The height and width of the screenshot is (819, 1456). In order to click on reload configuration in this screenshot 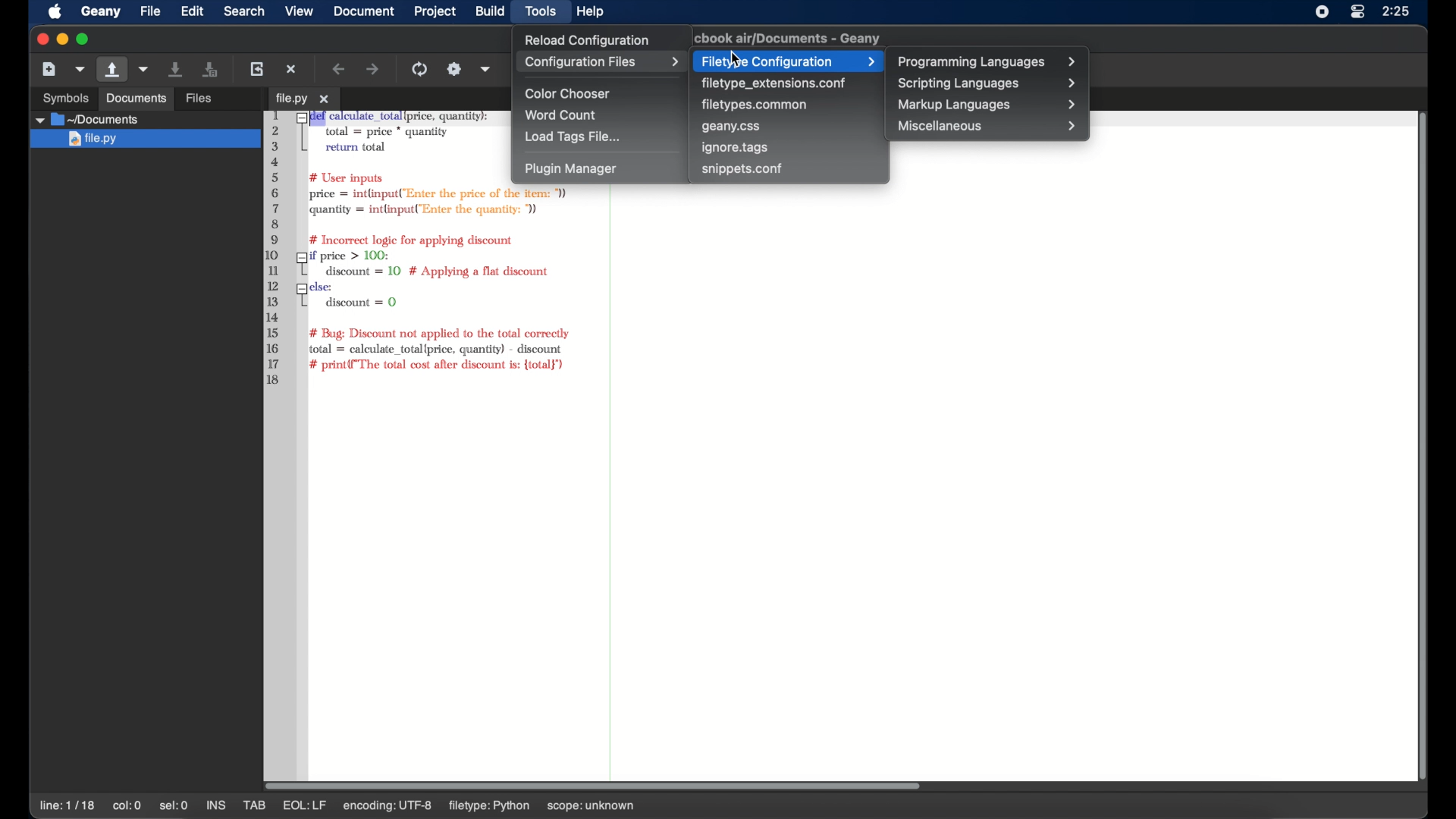, I will do `click(585, 39)`.